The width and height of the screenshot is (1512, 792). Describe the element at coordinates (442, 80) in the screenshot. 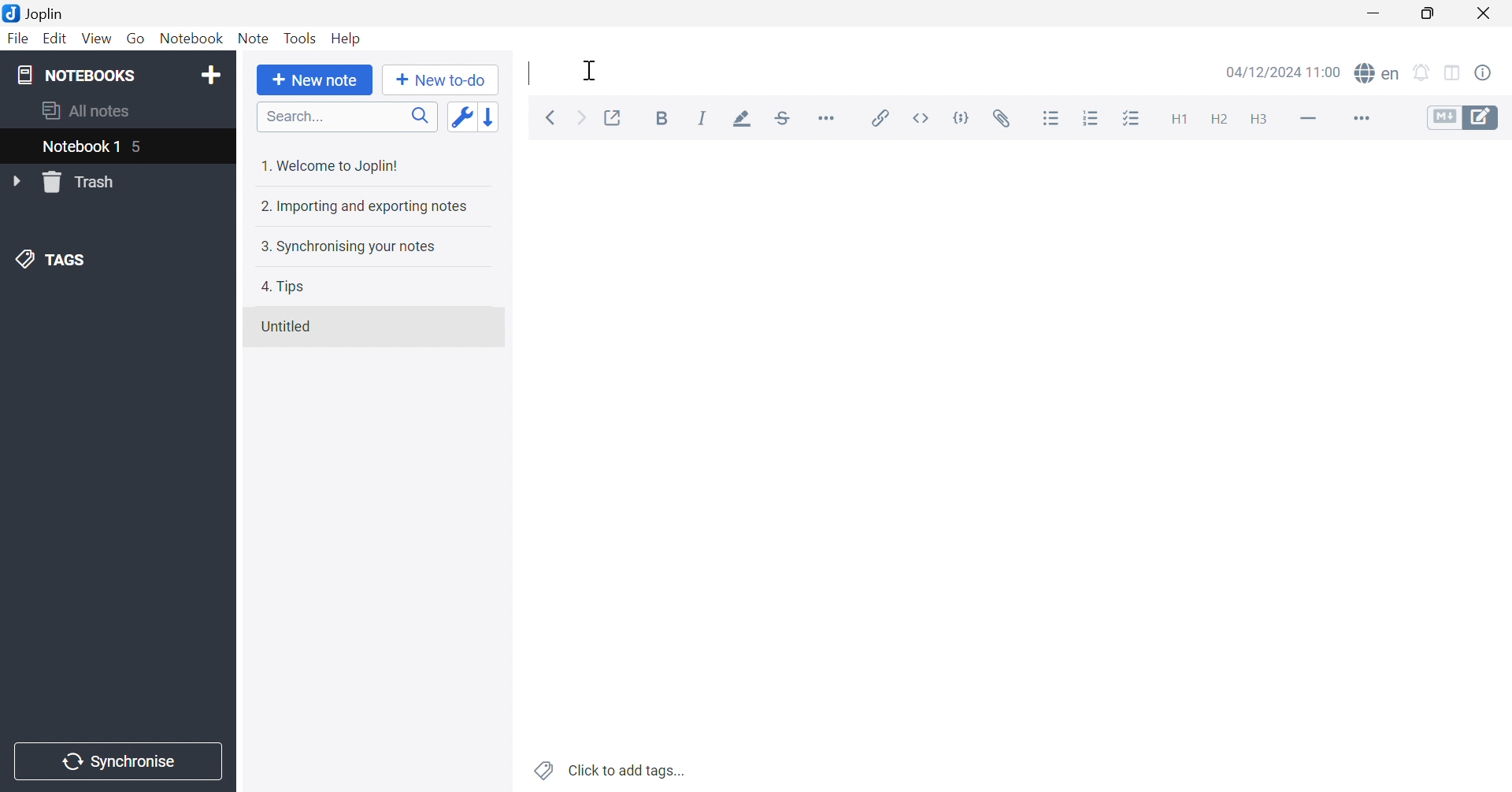

I see `New to-do` at that location.